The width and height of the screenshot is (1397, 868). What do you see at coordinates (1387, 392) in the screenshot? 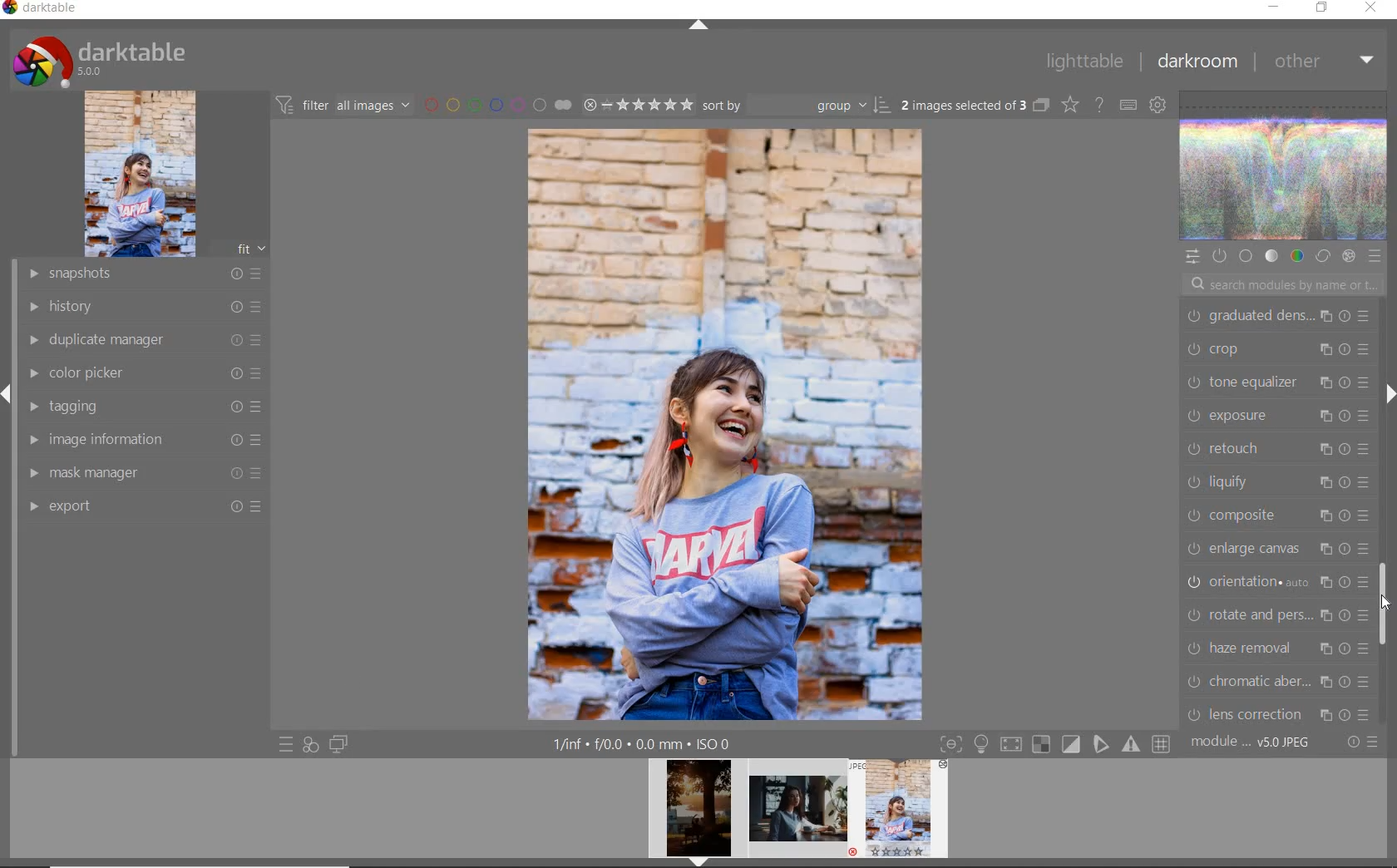
I see `expand/collapse` at bounding box center [1387, 392].